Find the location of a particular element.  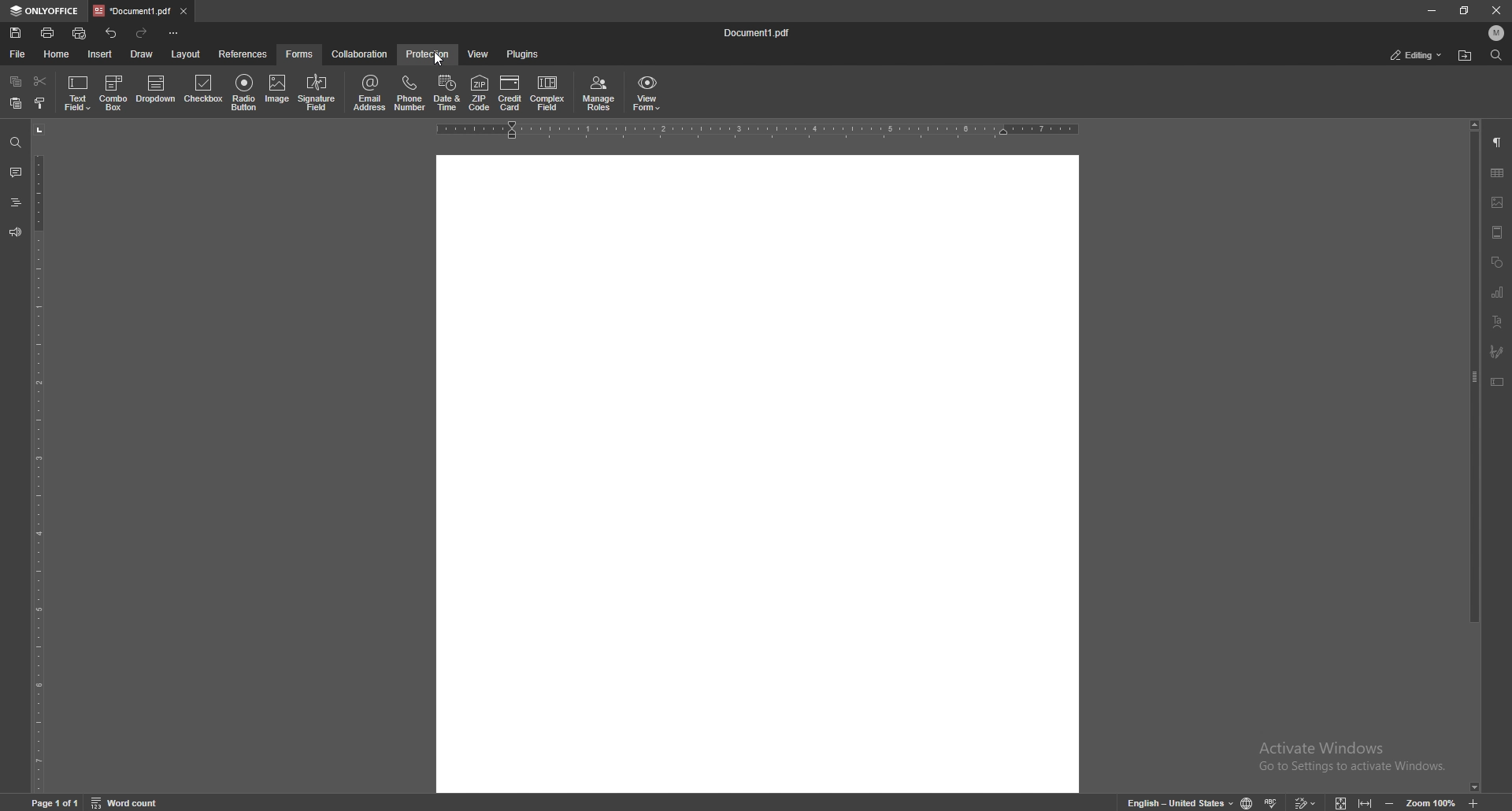

text field is located at coordinates (79, 93).